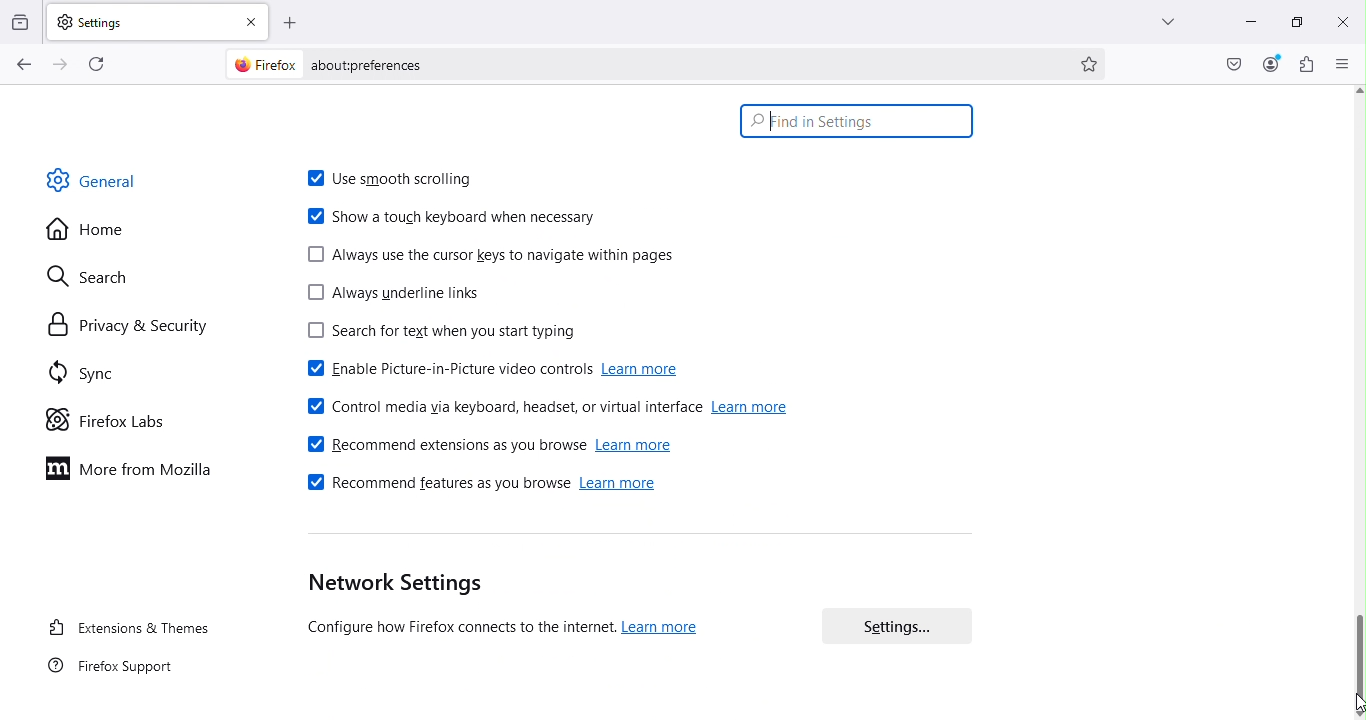 The height and width of the screenshot is (720, 1366). Describe the element at coordinates (106, 673) in the screenshot. I see `FireFox support` at that location.